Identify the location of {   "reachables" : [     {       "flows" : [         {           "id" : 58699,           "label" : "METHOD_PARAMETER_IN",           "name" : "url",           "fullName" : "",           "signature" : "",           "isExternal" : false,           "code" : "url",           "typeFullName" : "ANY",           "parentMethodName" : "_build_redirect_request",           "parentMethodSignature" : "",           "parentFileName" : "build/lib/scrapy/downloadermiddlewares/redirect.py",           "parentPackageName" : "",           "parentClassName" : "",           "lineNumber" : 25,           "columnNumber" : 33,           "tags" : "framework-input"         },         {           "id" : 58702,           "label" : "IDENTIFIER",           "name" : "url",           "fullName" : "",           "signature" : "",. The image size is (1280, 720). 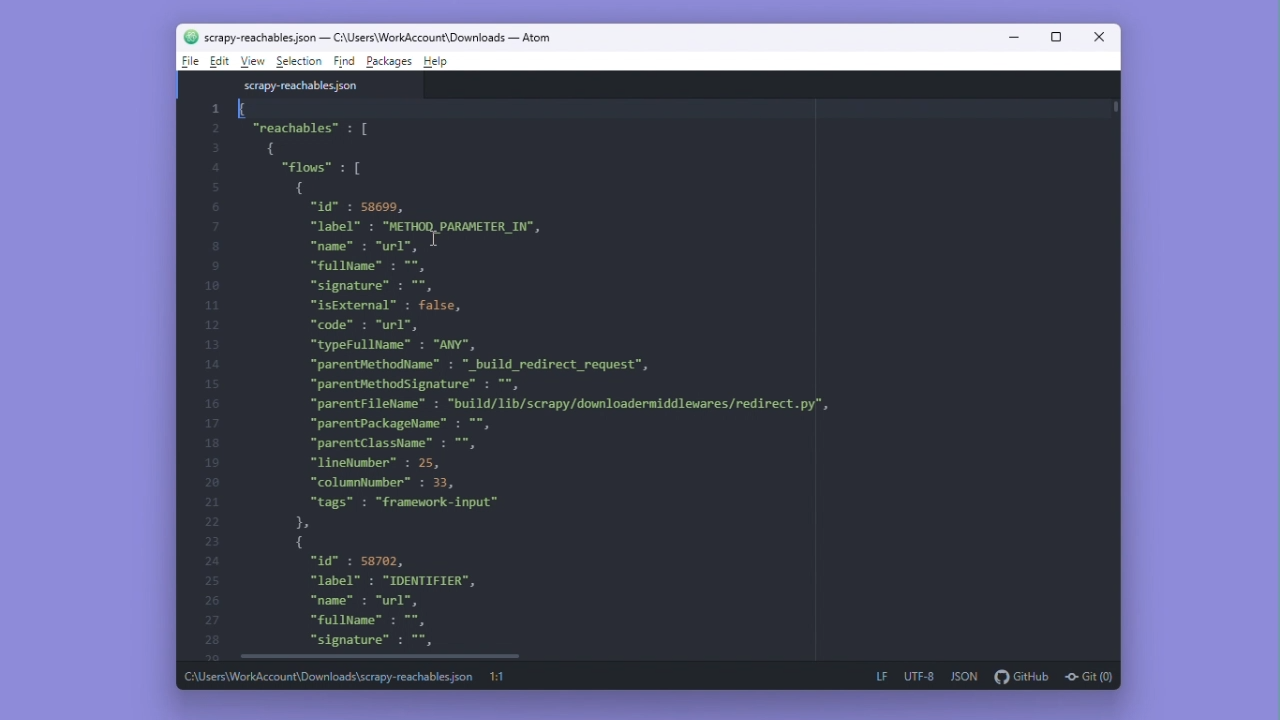
(656, 372).